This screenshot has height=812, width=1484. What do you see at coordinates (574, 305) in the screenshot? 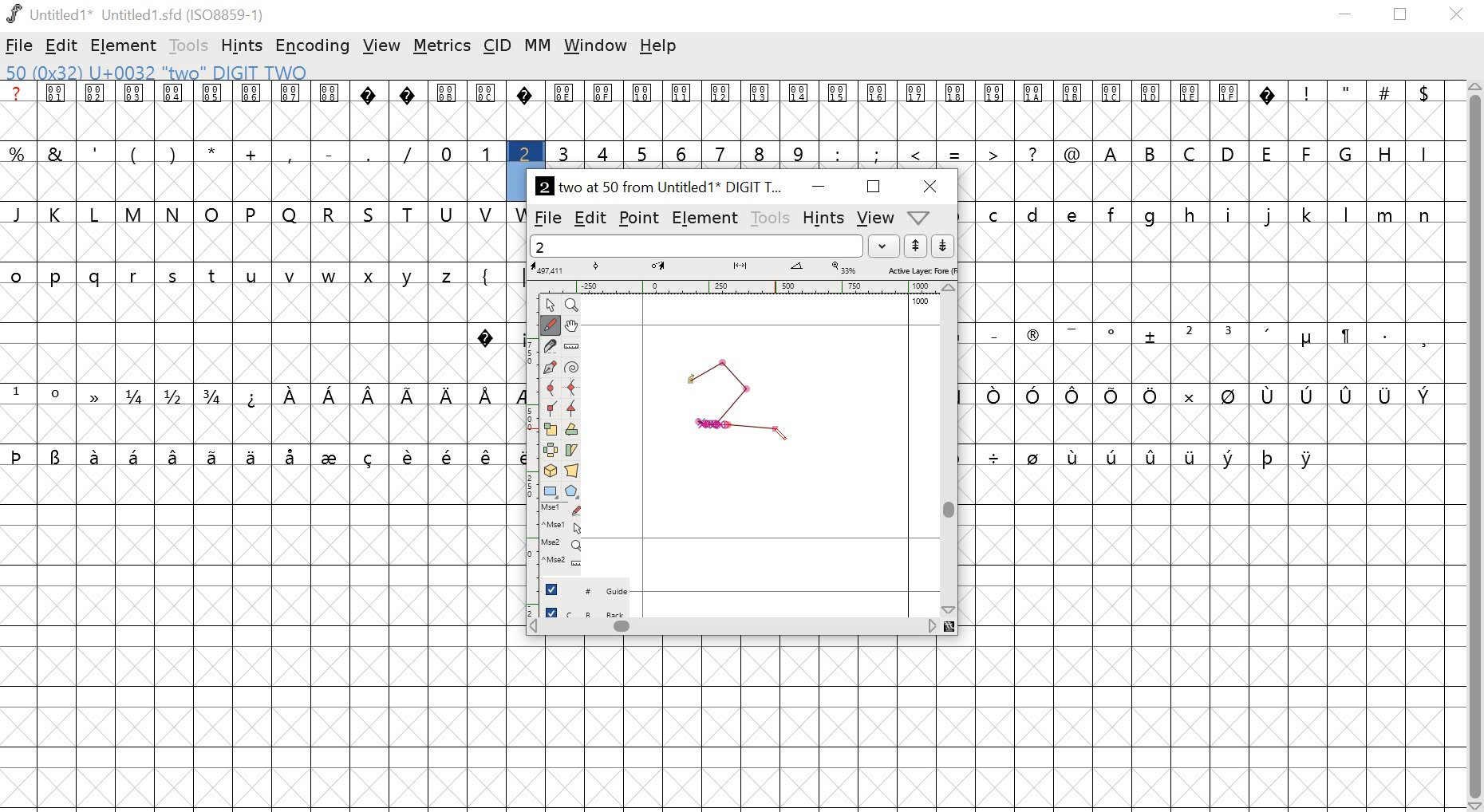
I see `zoom` at bounding box center [574, 305].